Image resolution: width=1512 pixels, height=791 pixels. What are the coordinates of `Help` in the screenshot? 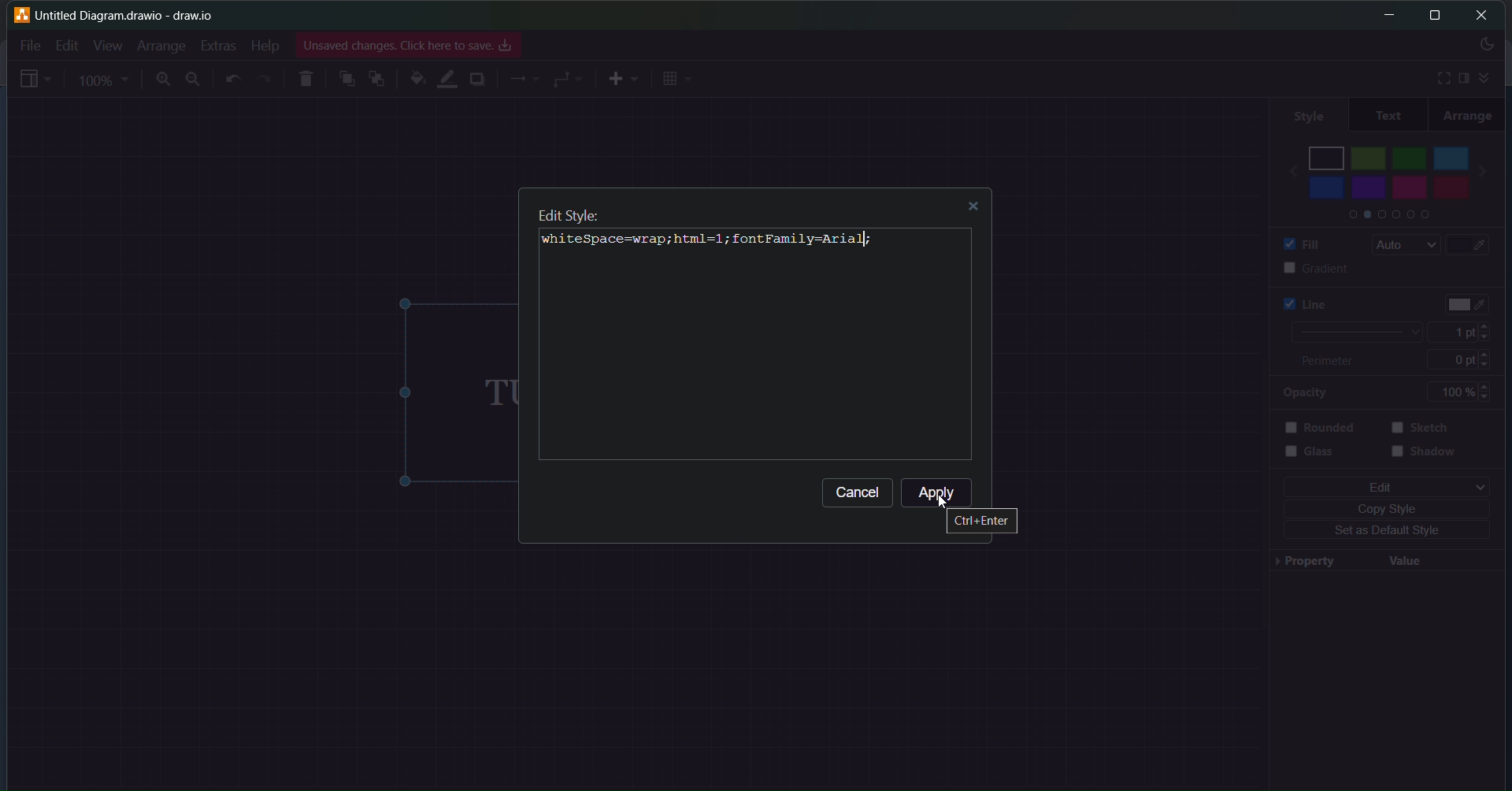 It's located at (264, 46).